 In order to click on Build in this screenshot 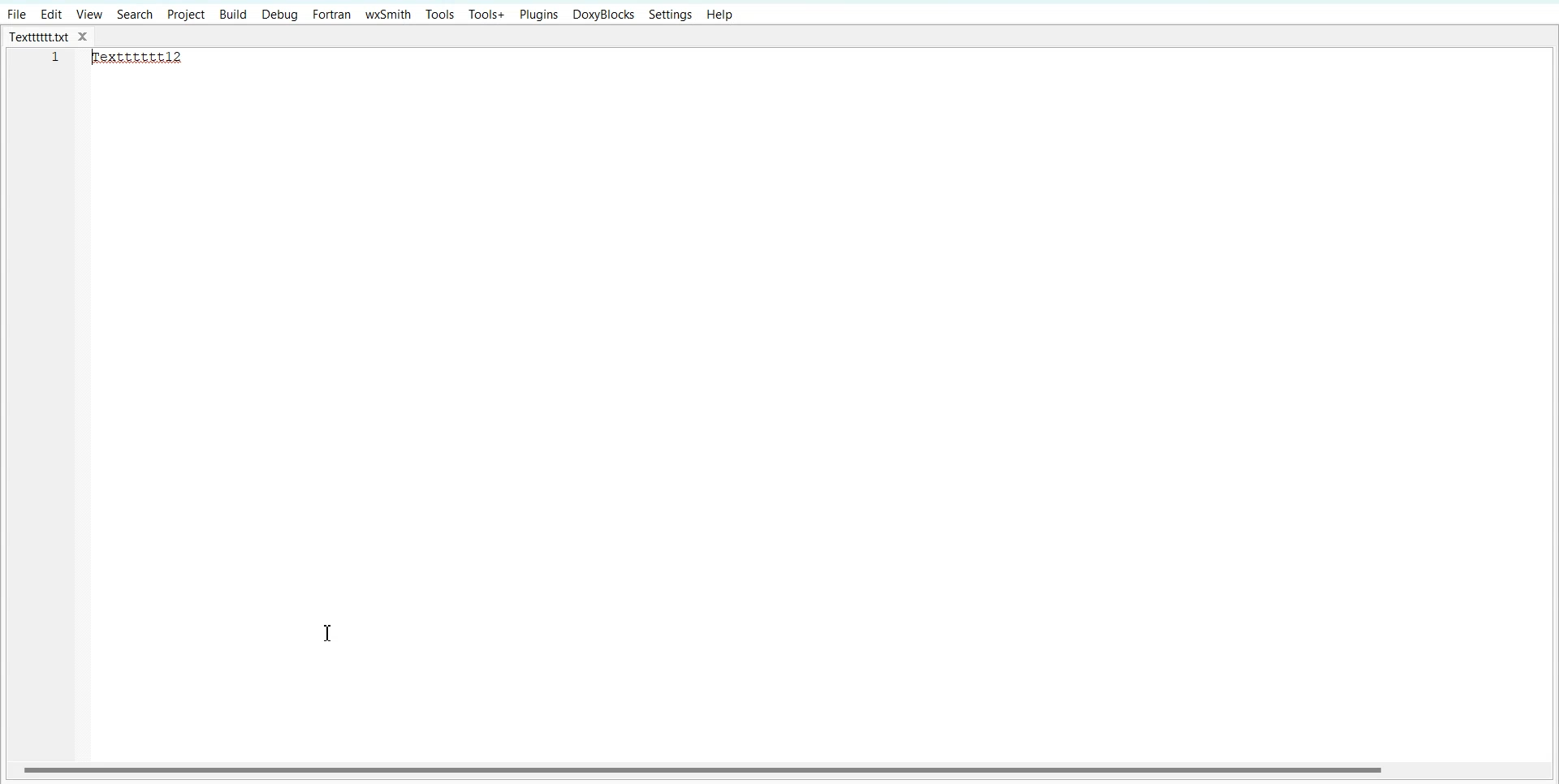, I will do `click(233, 15)`.